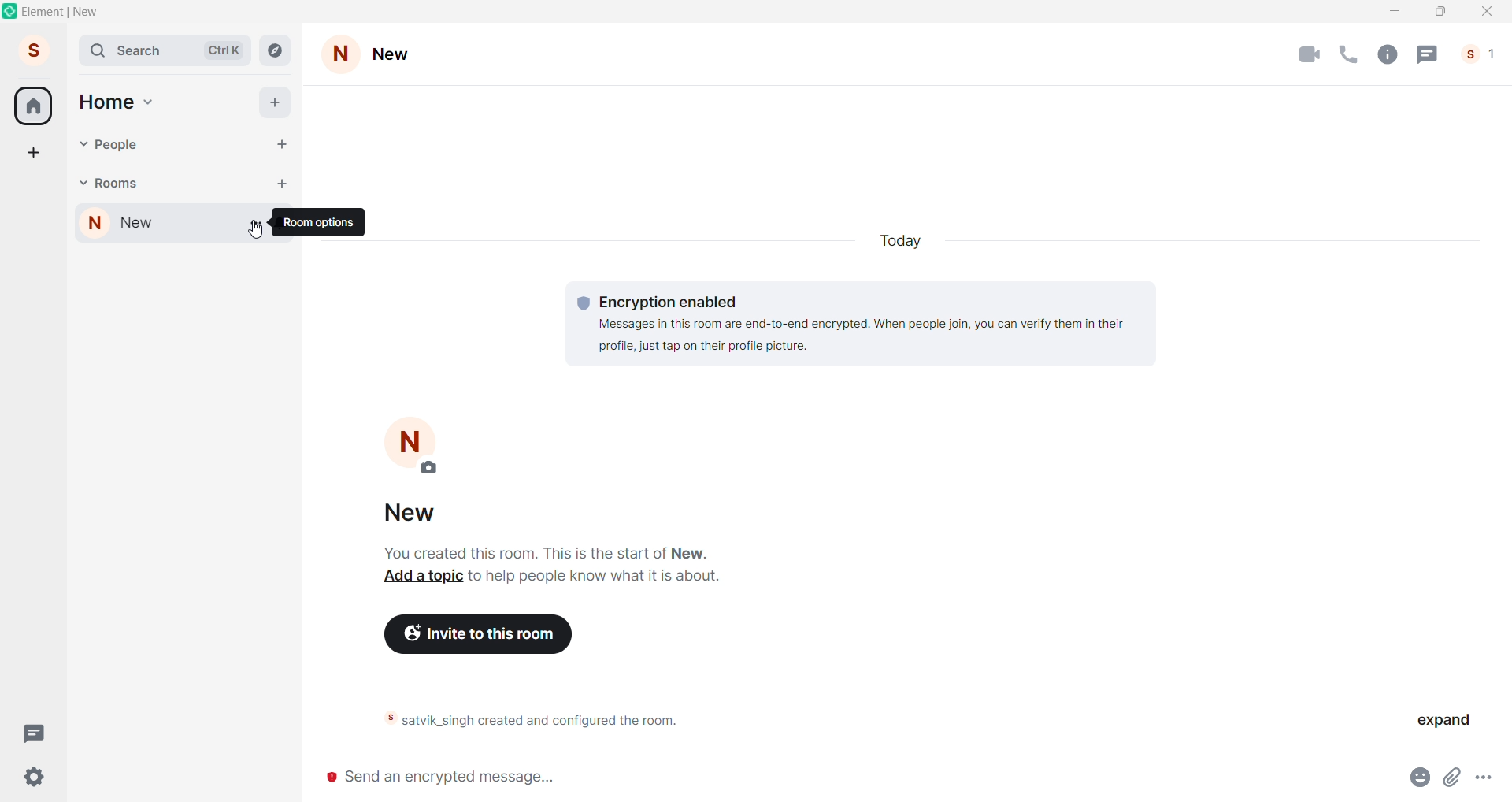 This screenshot has width=1512, height=802. I want to click on Room Options, so click(323, 222).